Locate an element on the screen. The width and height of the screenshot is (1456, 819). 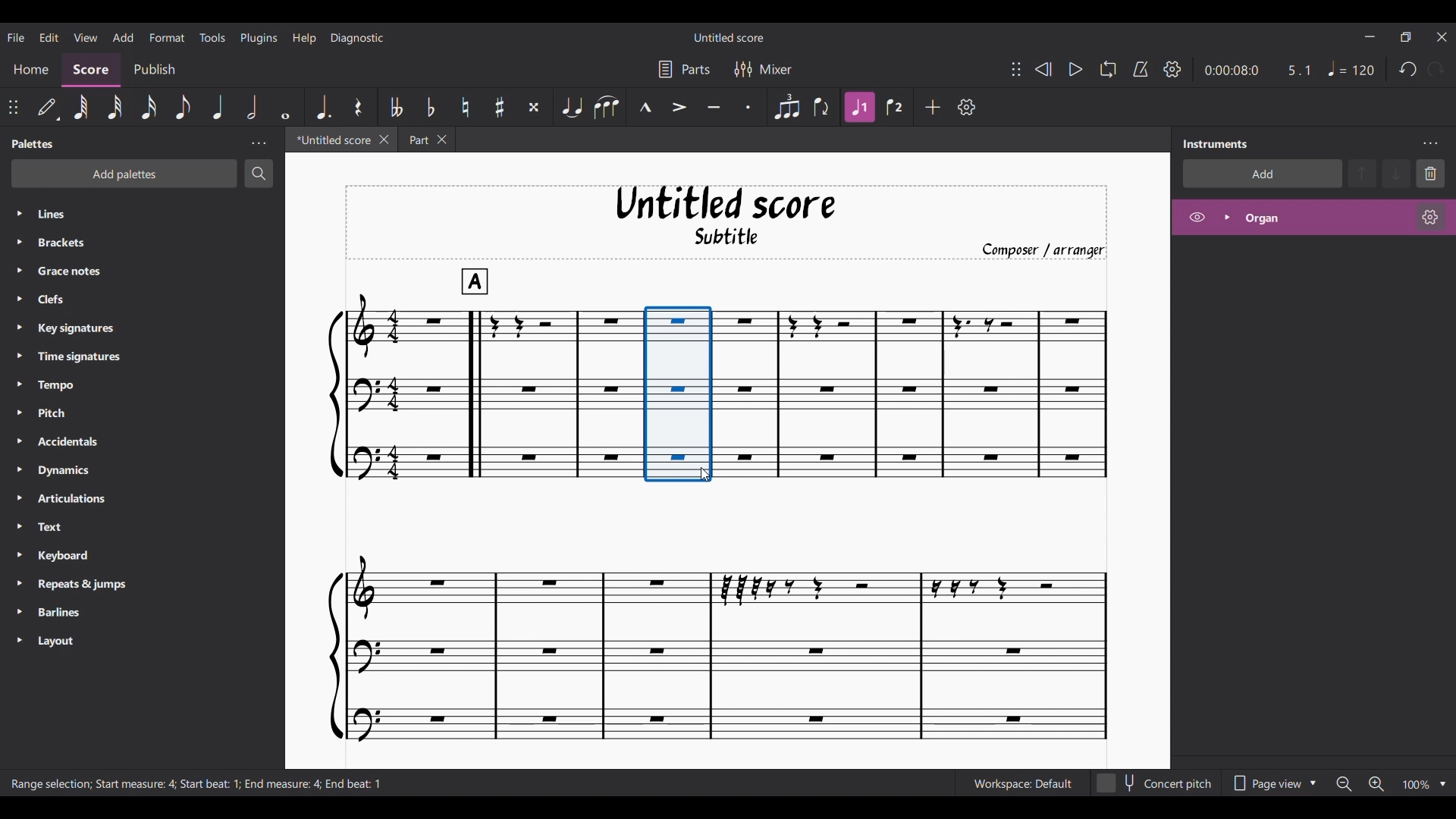
View menu is located at coordinates (86, 37).